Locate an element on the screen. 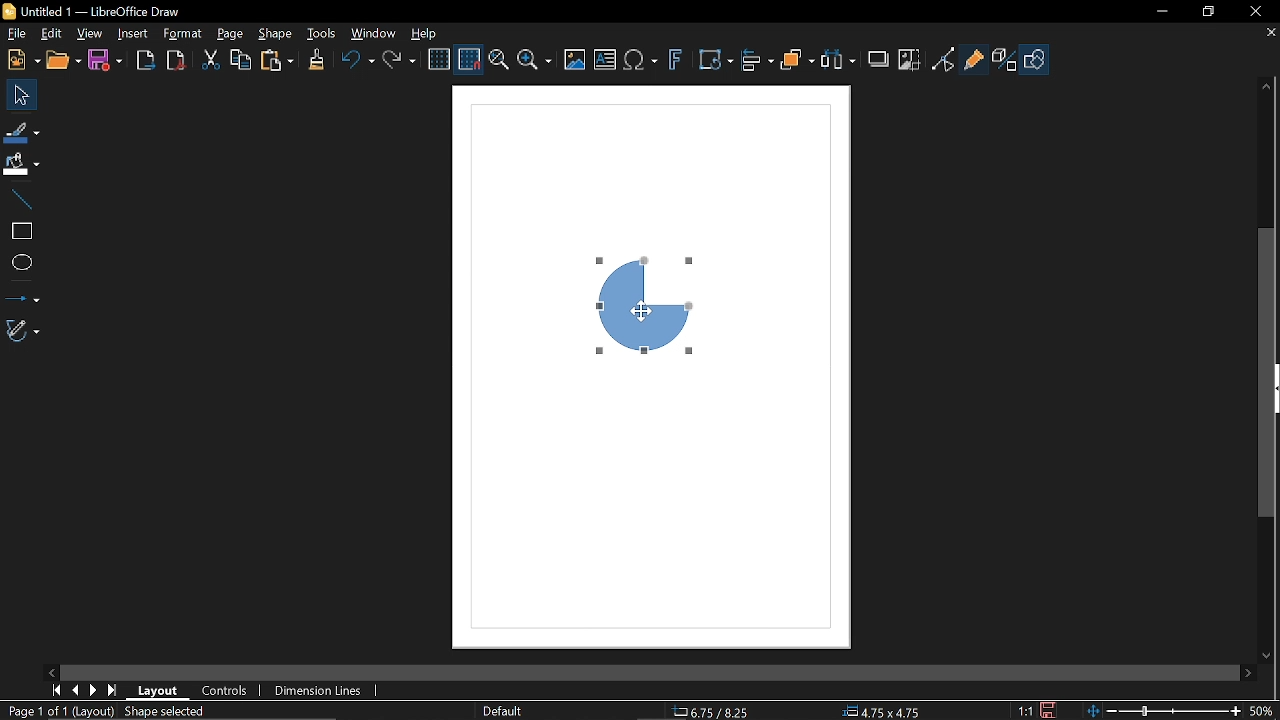  Edit is located at coordinates (50, 34).